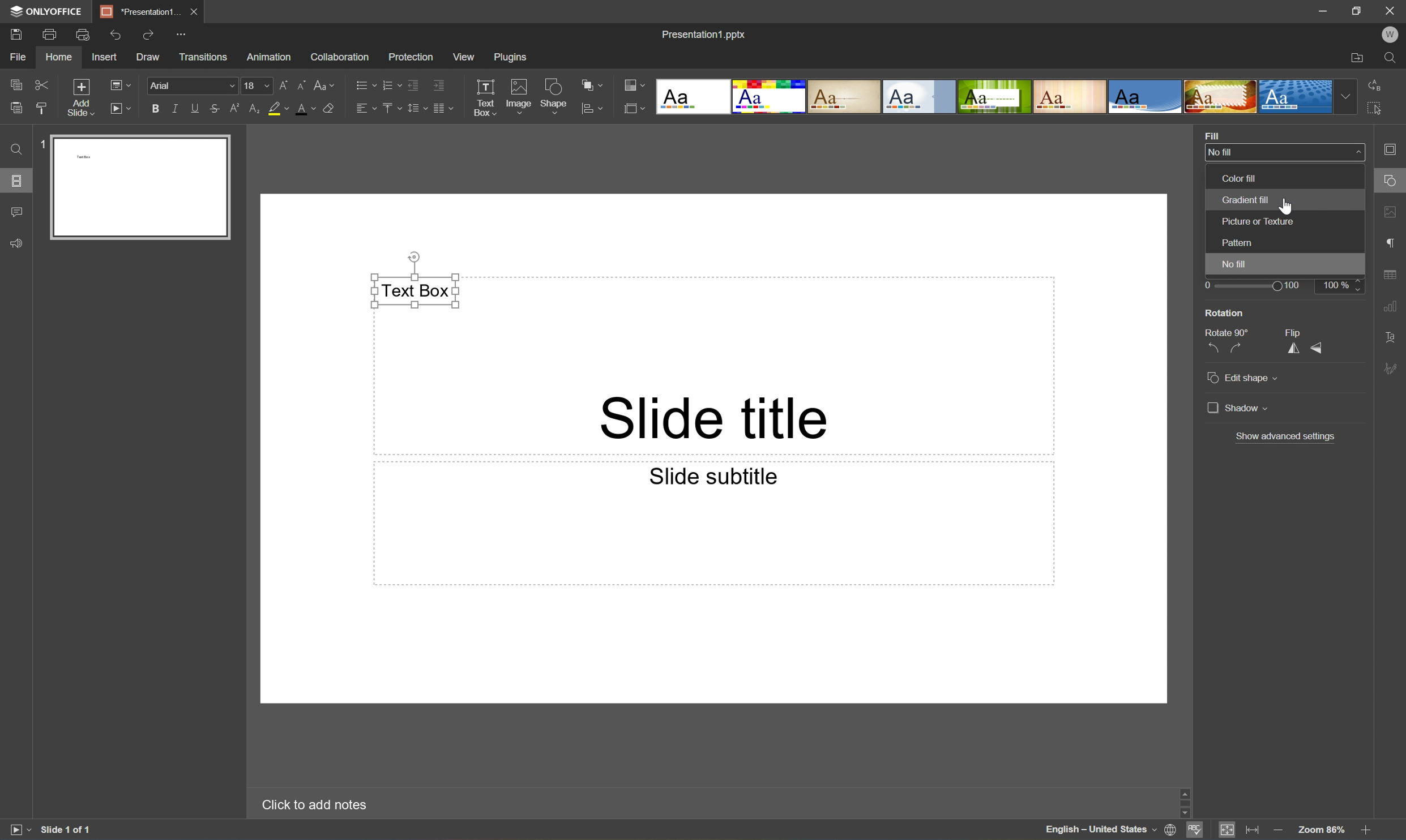 The width and height of the screenshot is (1406, 840). What do you see at coordinates (1224, 268) in the screenshot?
I see `Opacity` at bounding box center [1224, 268].